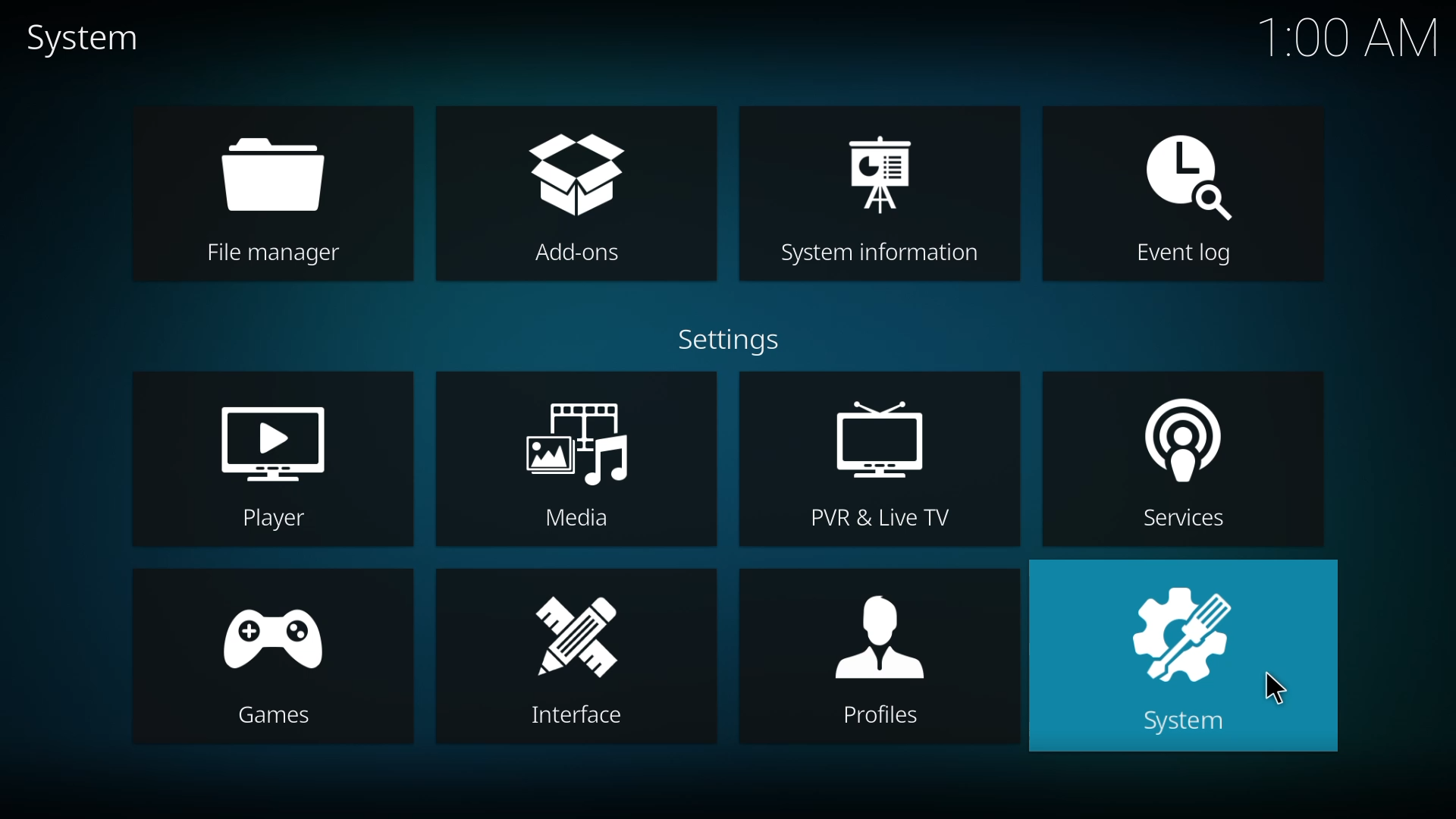  I want to click on event log, so click(1185, 195).